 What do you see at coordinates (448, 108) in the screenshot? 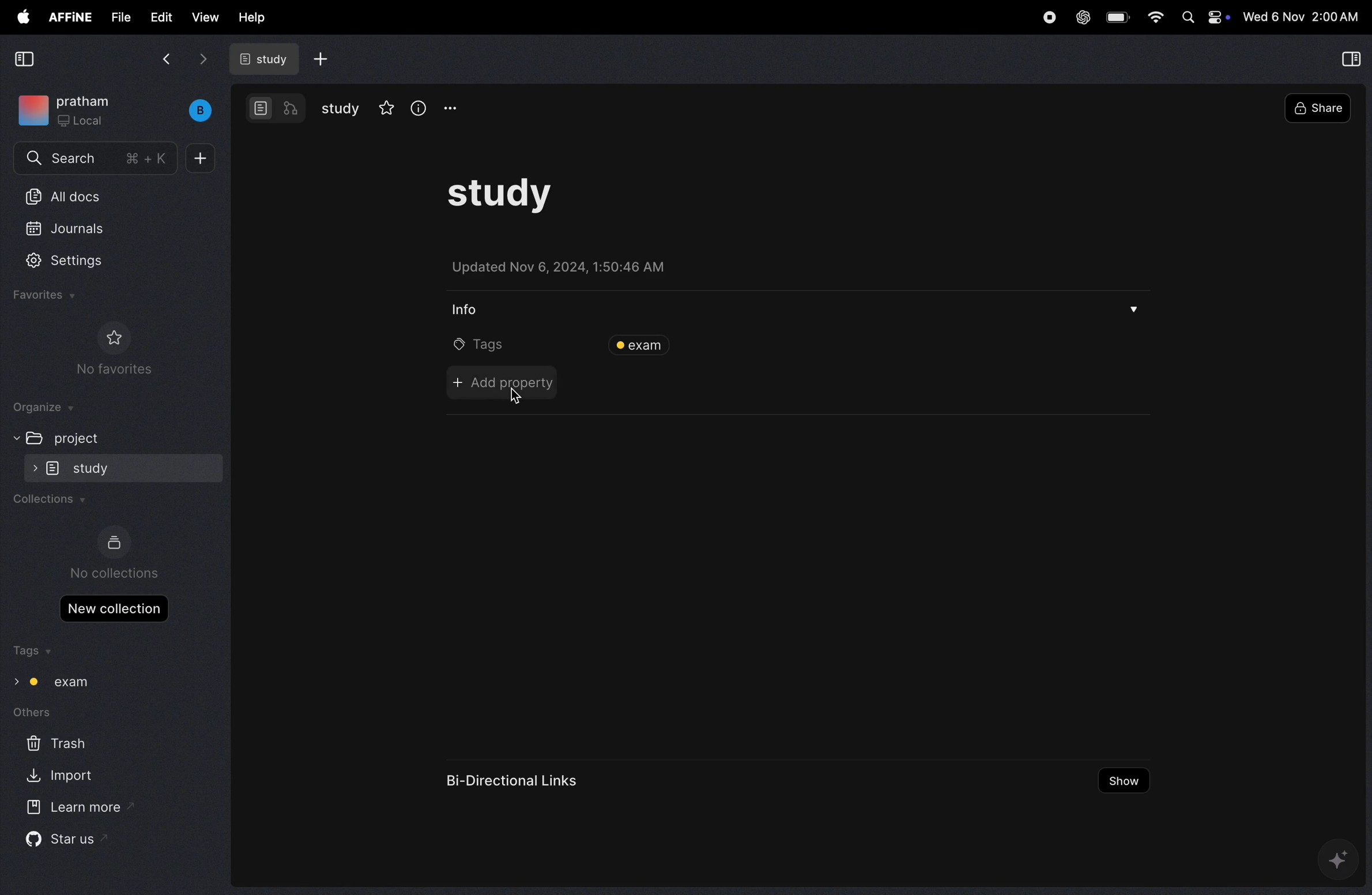
I see `options` at bounding box center [448, 108].